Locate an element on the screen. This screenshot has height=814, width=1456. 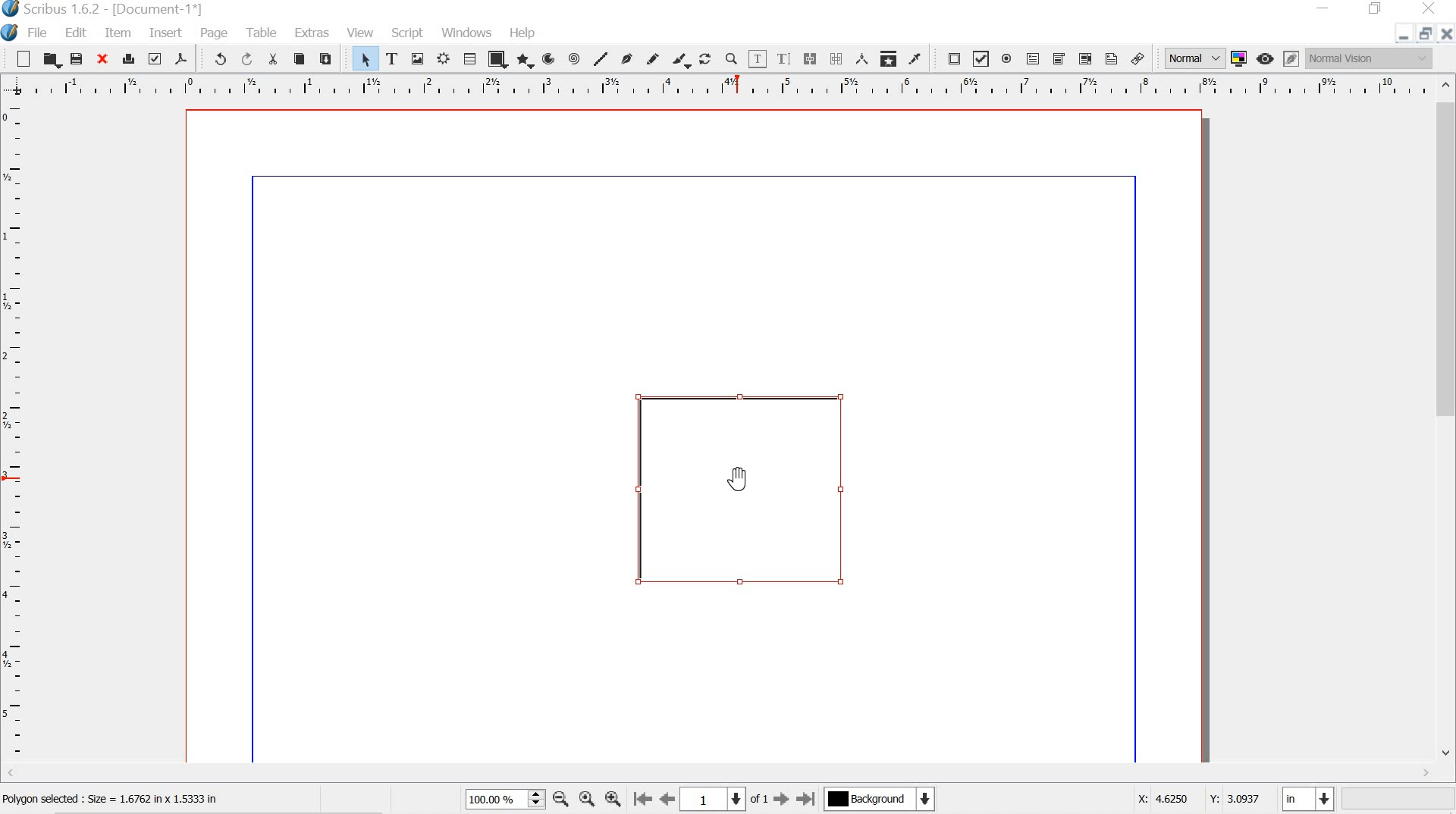
link annotation is located at coordinates (1141, 58).